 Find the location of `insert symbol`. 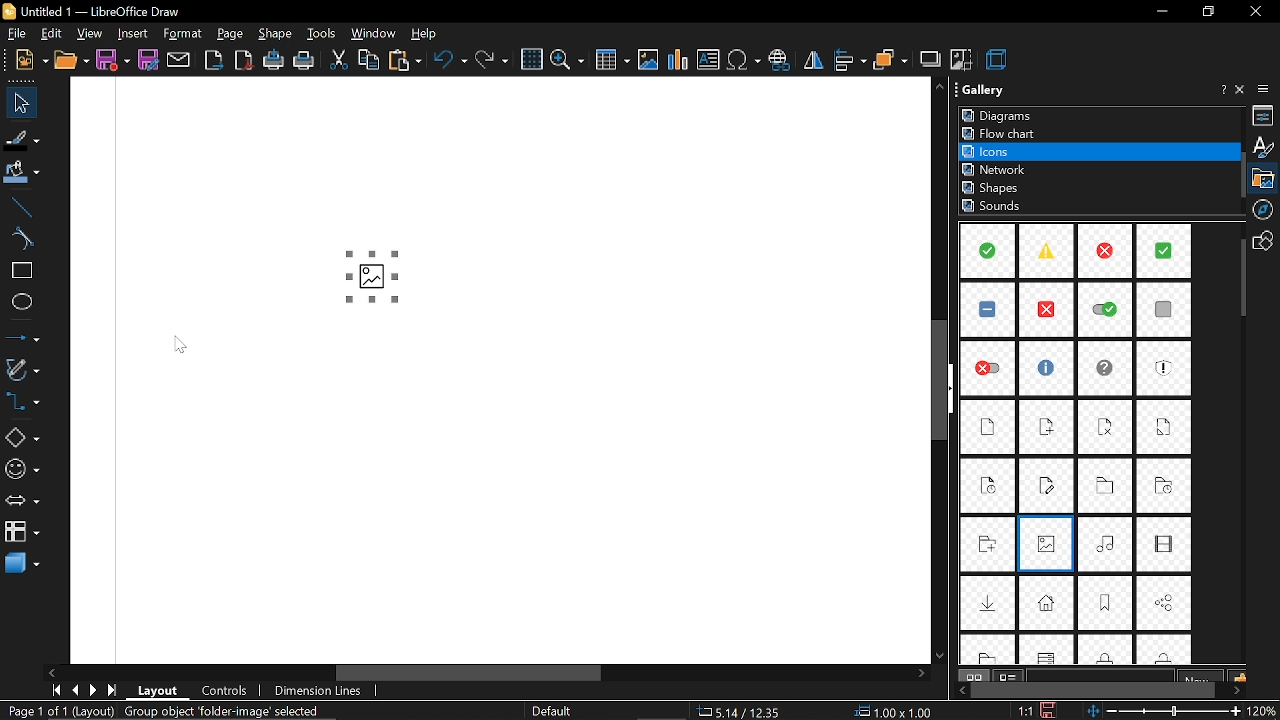

insert symbol is located at coordinates (745, 61).